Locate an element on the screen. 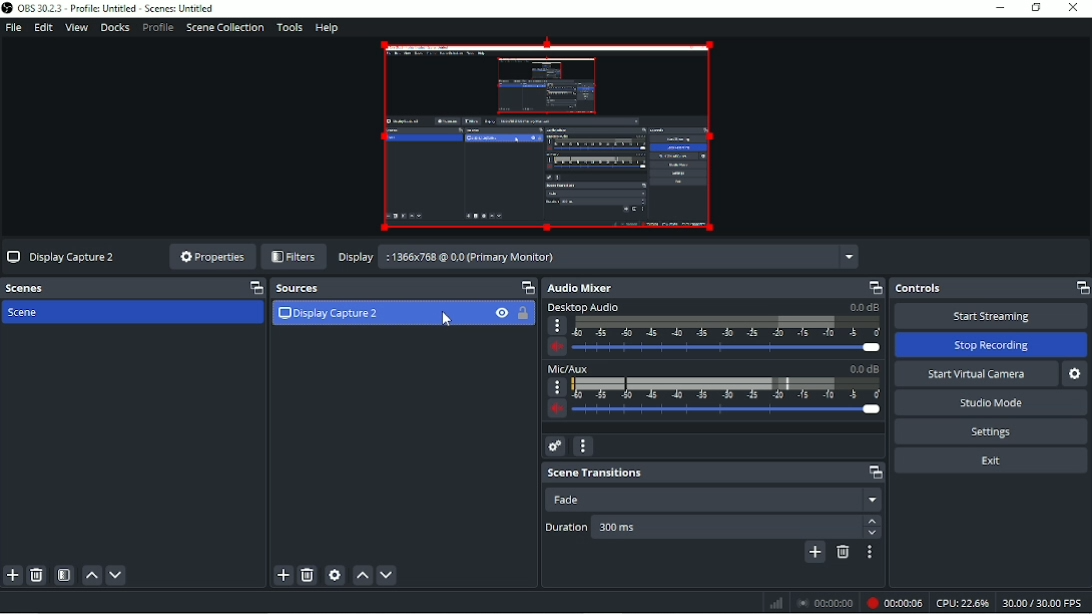  Help is located at coordinates (327, 29).